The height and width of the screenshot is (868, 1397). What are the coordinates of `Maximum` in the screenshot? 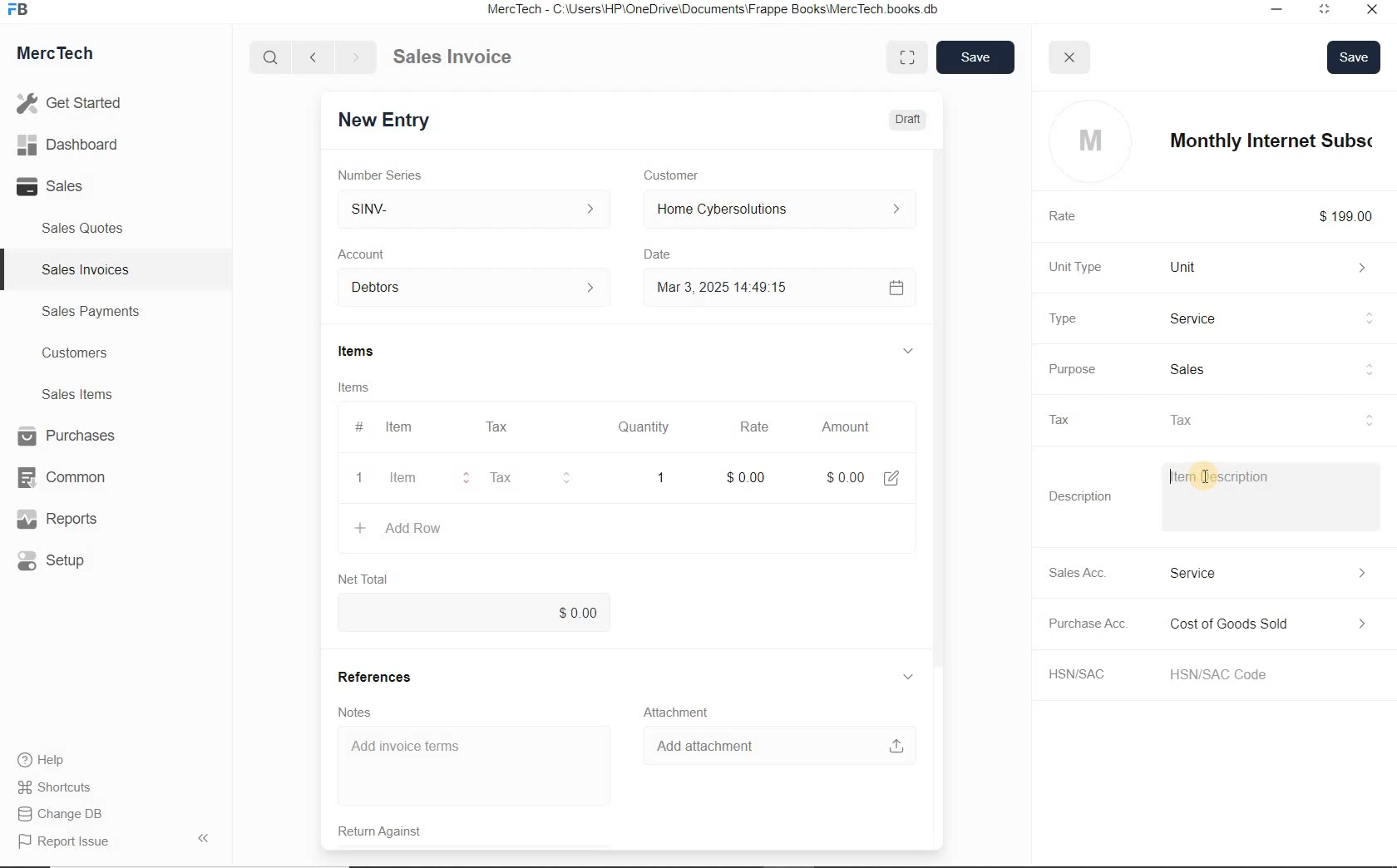 It's located at (1315, 12).